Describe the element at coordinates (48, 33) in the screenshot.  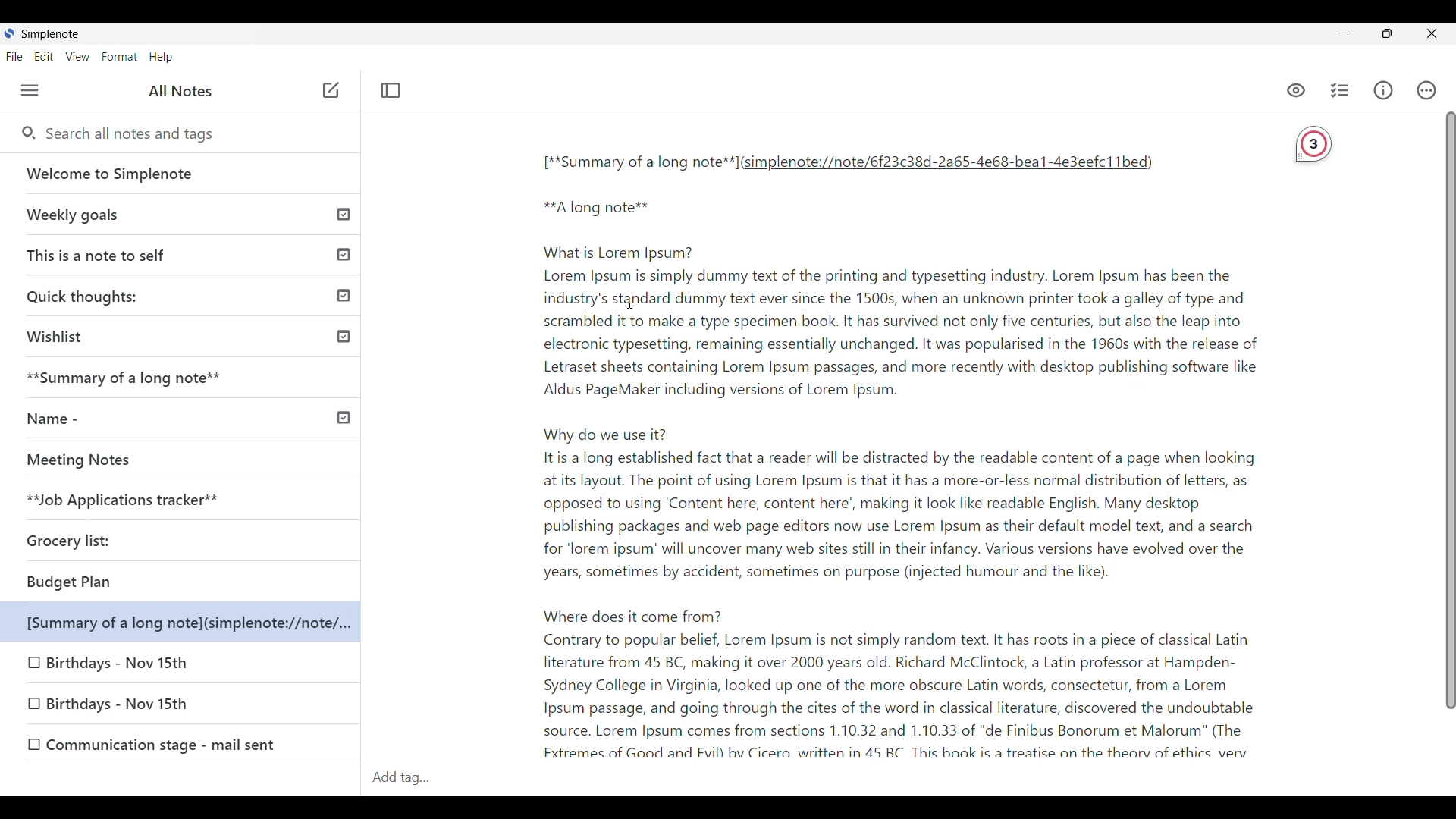
I see `SimpleNote` at that location.